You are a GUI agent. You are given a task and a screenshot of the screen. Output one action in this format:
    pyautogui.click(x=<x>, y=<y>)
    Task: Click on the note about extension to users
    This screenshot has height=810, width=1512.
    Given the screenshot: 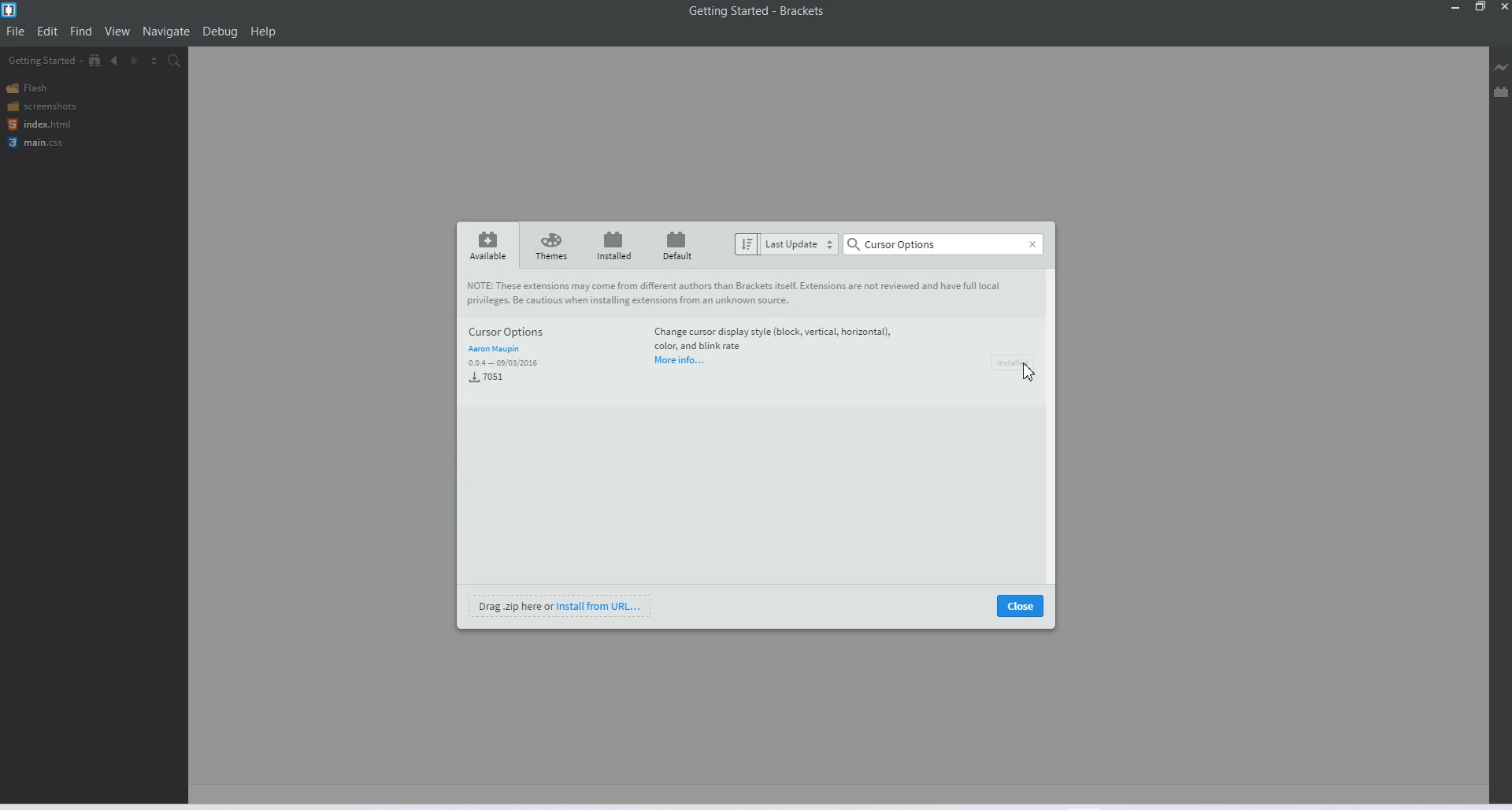 What is the action you would take?
    pyautogui.click(x=744, y=293)
    